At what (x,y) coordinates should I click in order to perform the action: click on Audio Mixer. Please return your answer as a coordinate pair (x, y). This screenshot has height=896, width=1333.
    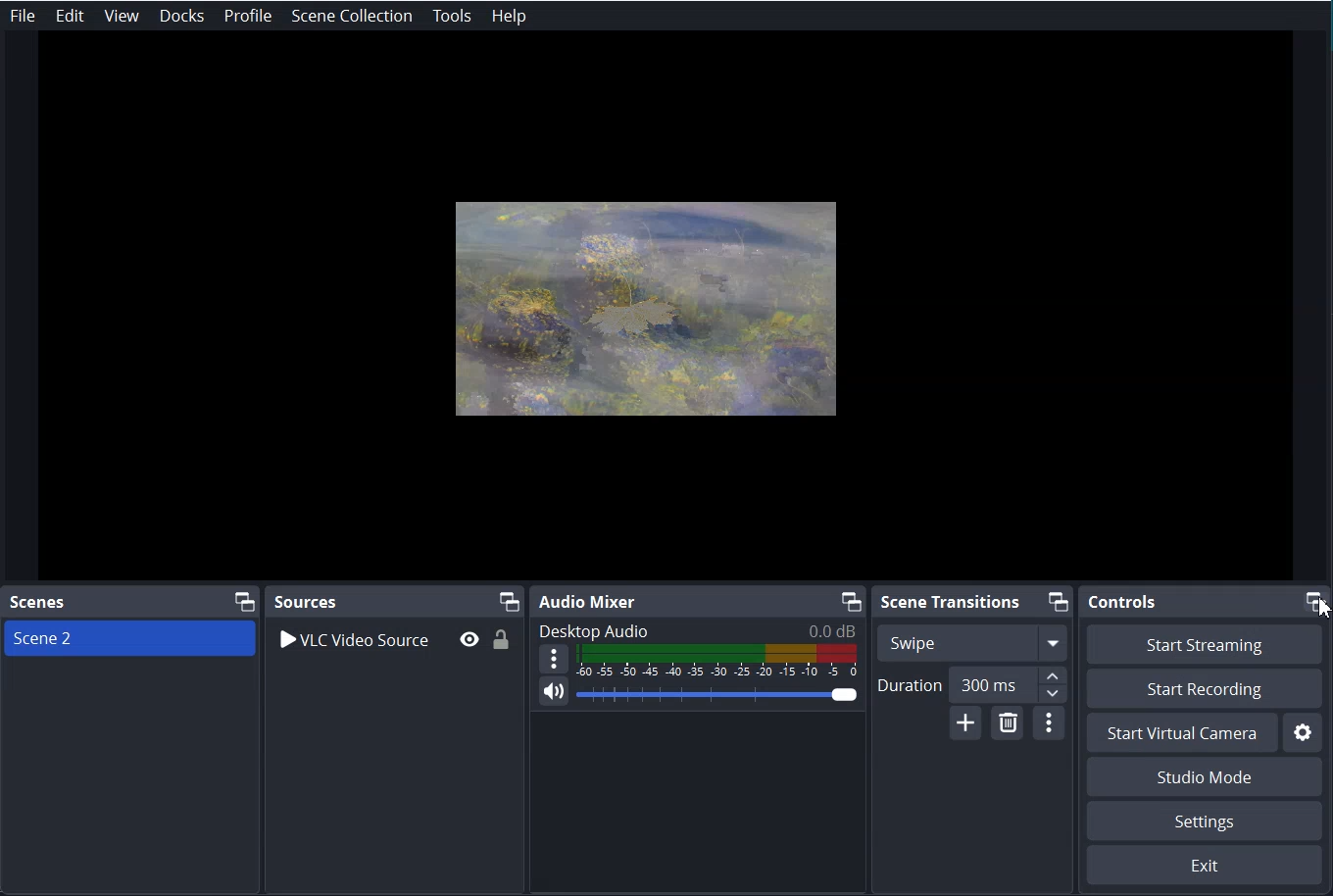
    Looking at the image, I should click on (588, 601).